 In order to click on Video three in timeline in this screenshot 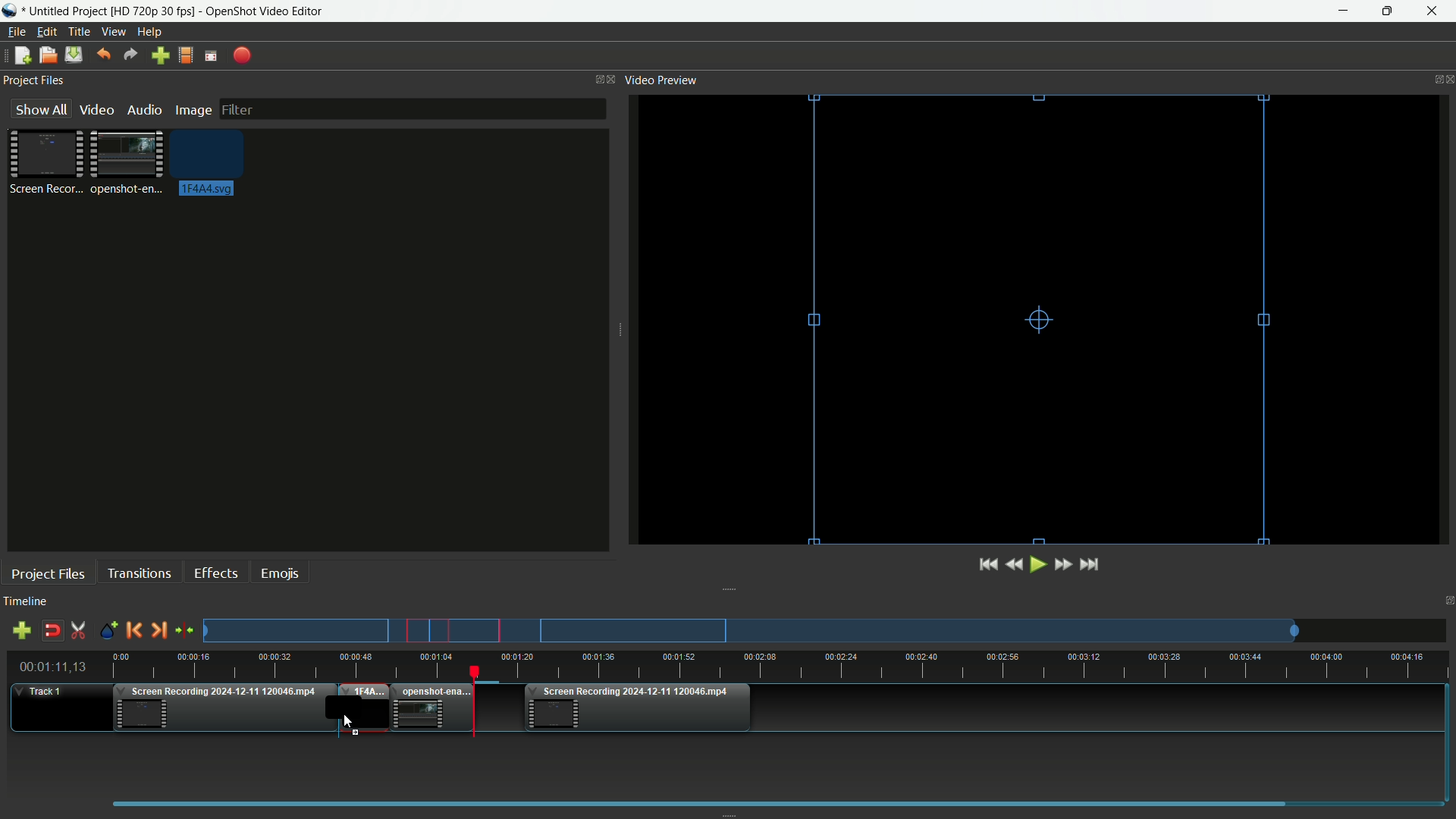, I will do `click(639, 708)`.